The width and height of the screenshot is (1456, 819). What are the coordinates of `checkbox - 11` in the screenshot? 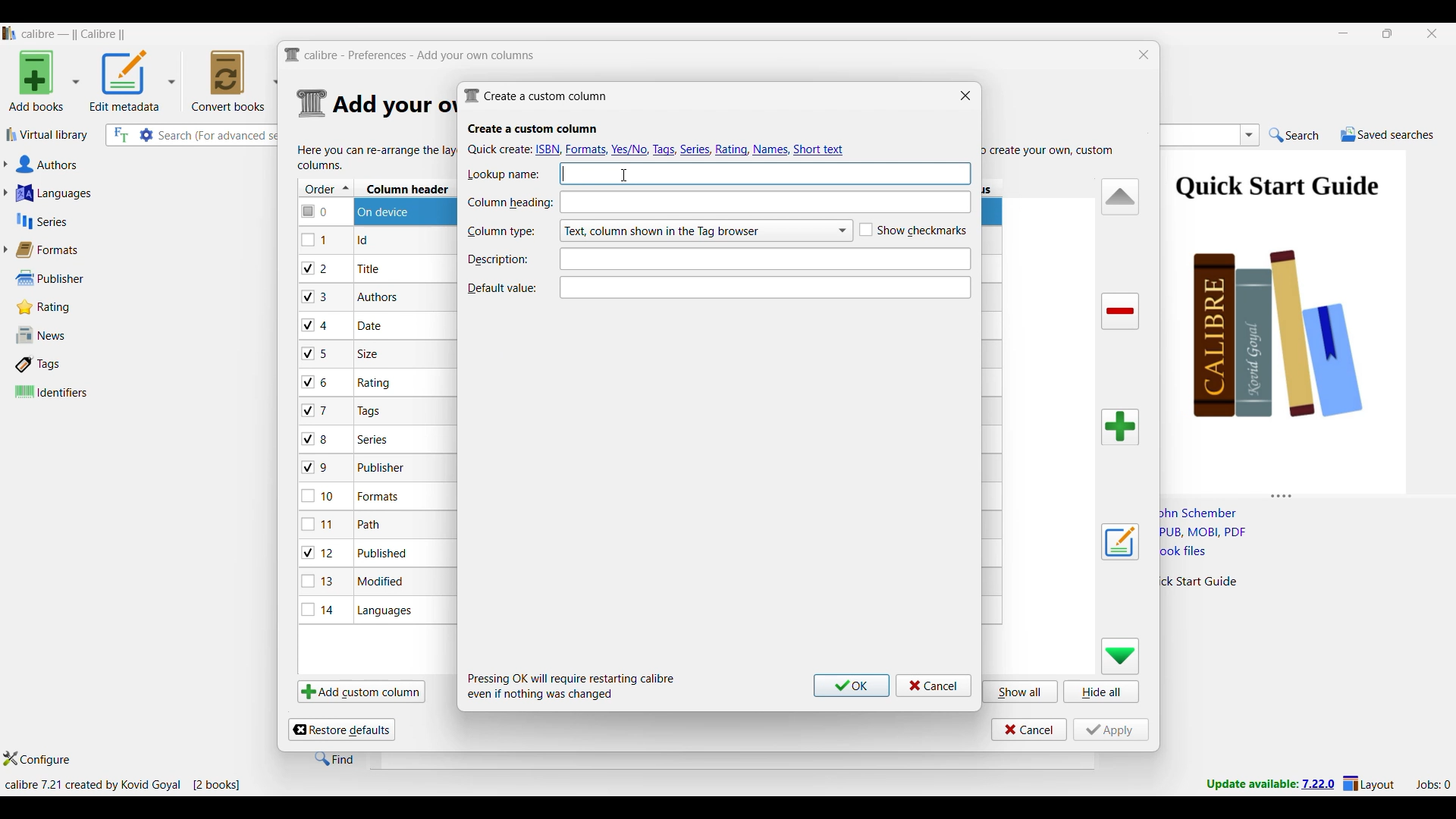 It's located at (320, 524).